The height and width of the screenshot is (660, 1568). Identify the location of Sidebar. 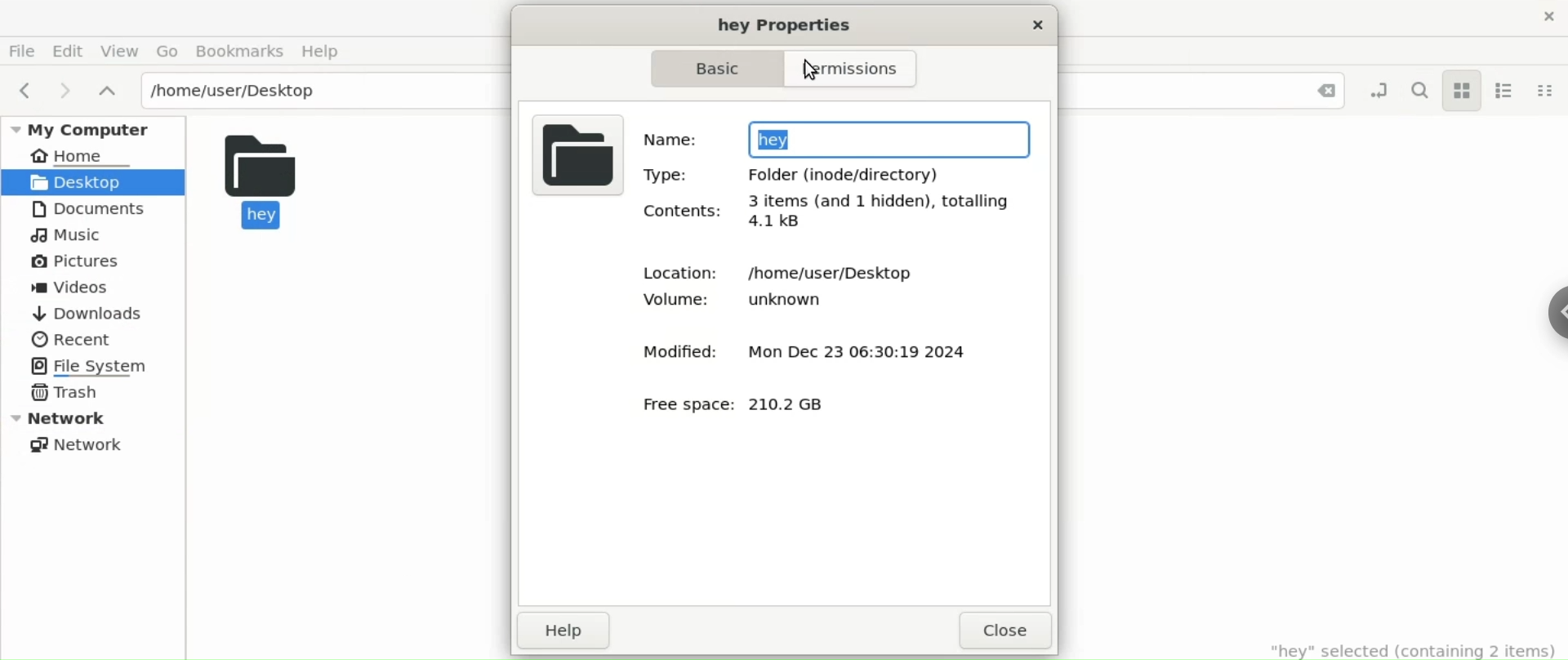
(1549, 305).